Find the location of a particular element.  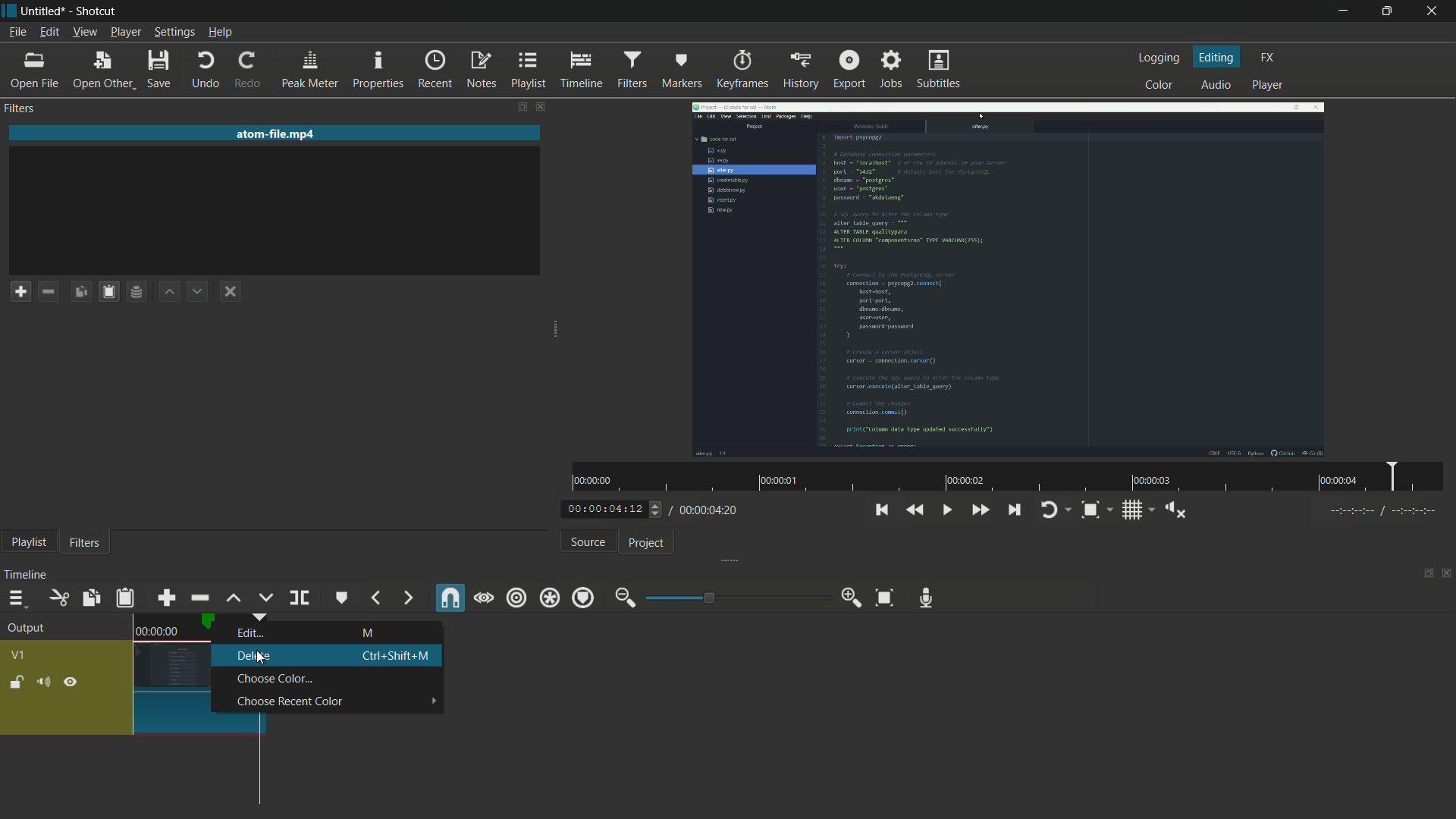

close timeline is located at coordinates (1447, 574).